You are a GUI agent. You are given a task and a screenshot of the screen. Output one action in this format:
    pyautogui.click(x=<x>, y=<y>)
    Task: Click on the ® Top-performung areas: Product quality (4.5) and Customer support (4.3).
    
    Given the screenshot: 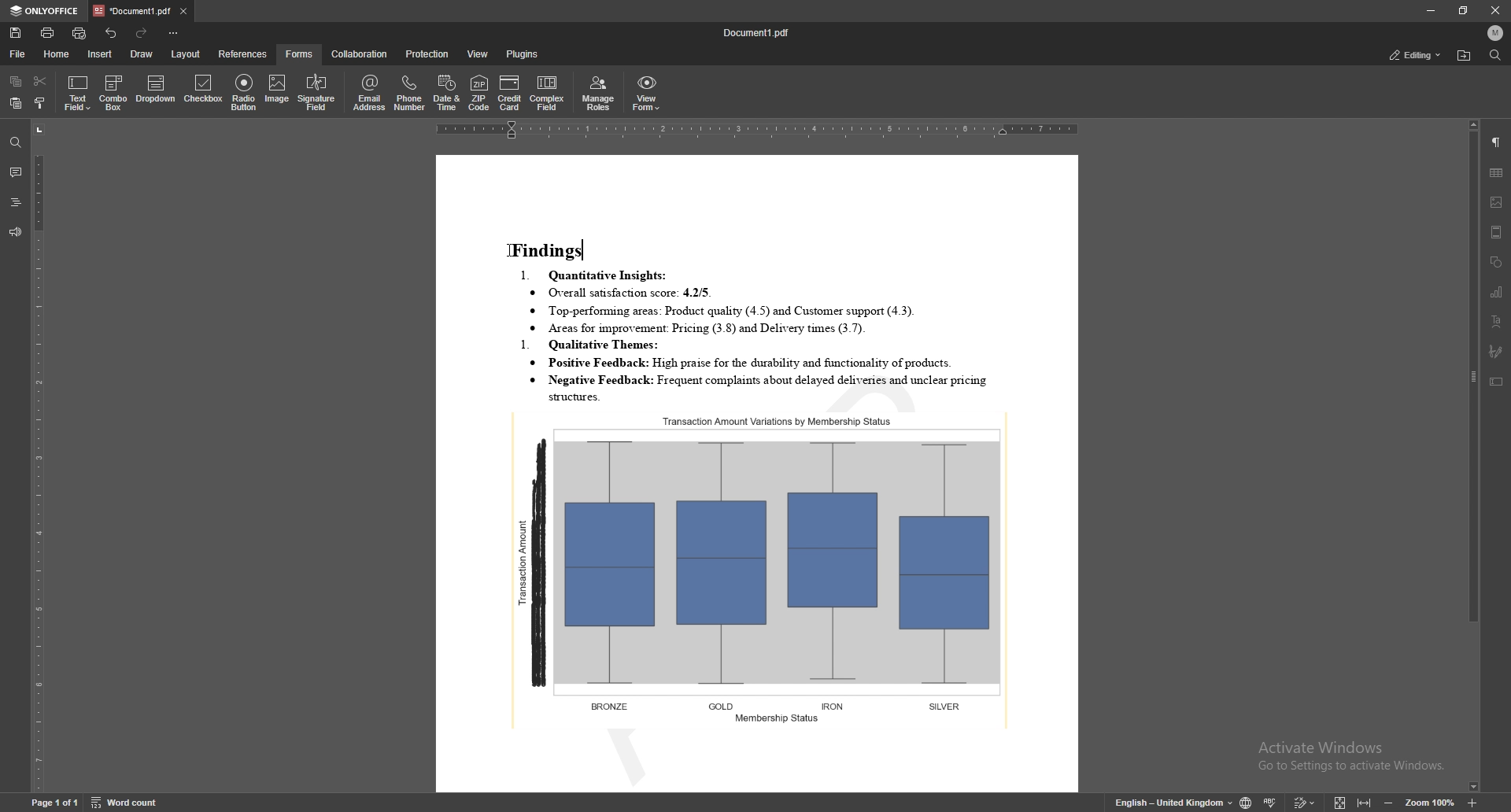 What is the action you would take?
    pyautogui.click(x=727, y=311)
    